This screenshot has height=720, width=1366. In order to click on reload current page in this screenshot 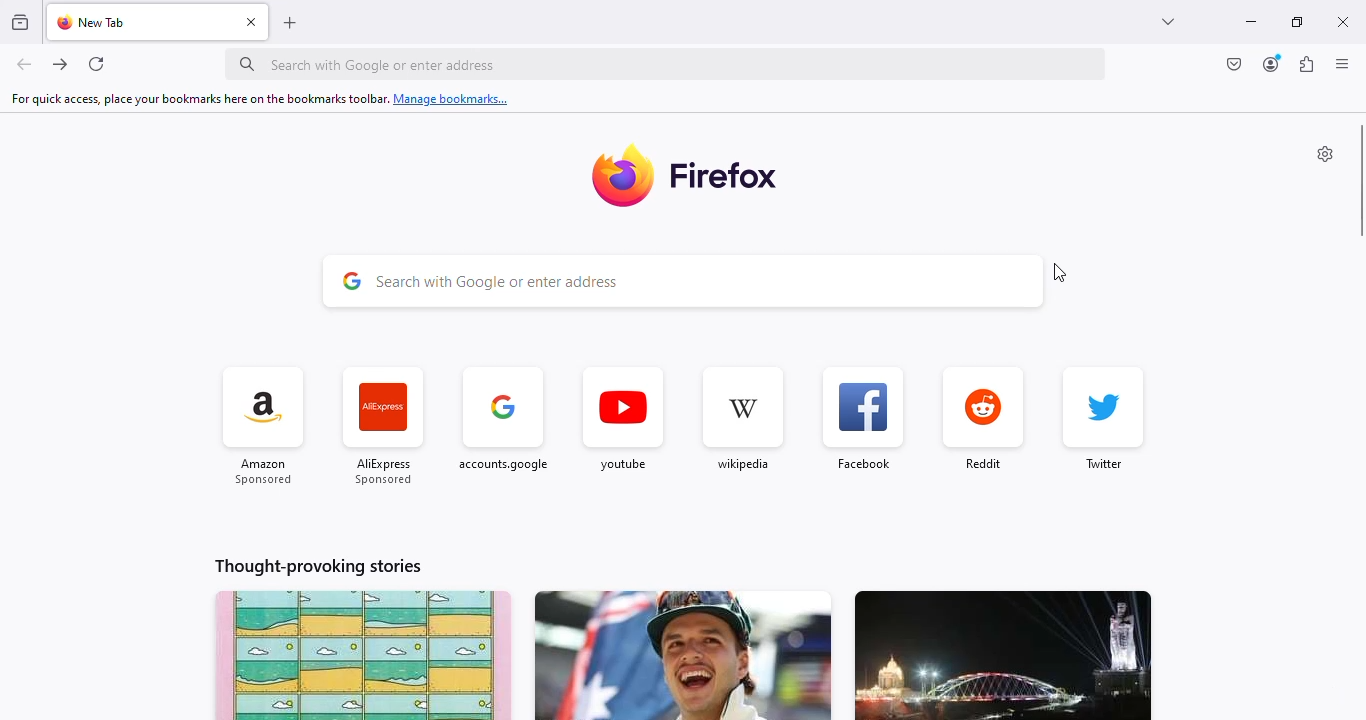, I will do `click(95, 64)`.